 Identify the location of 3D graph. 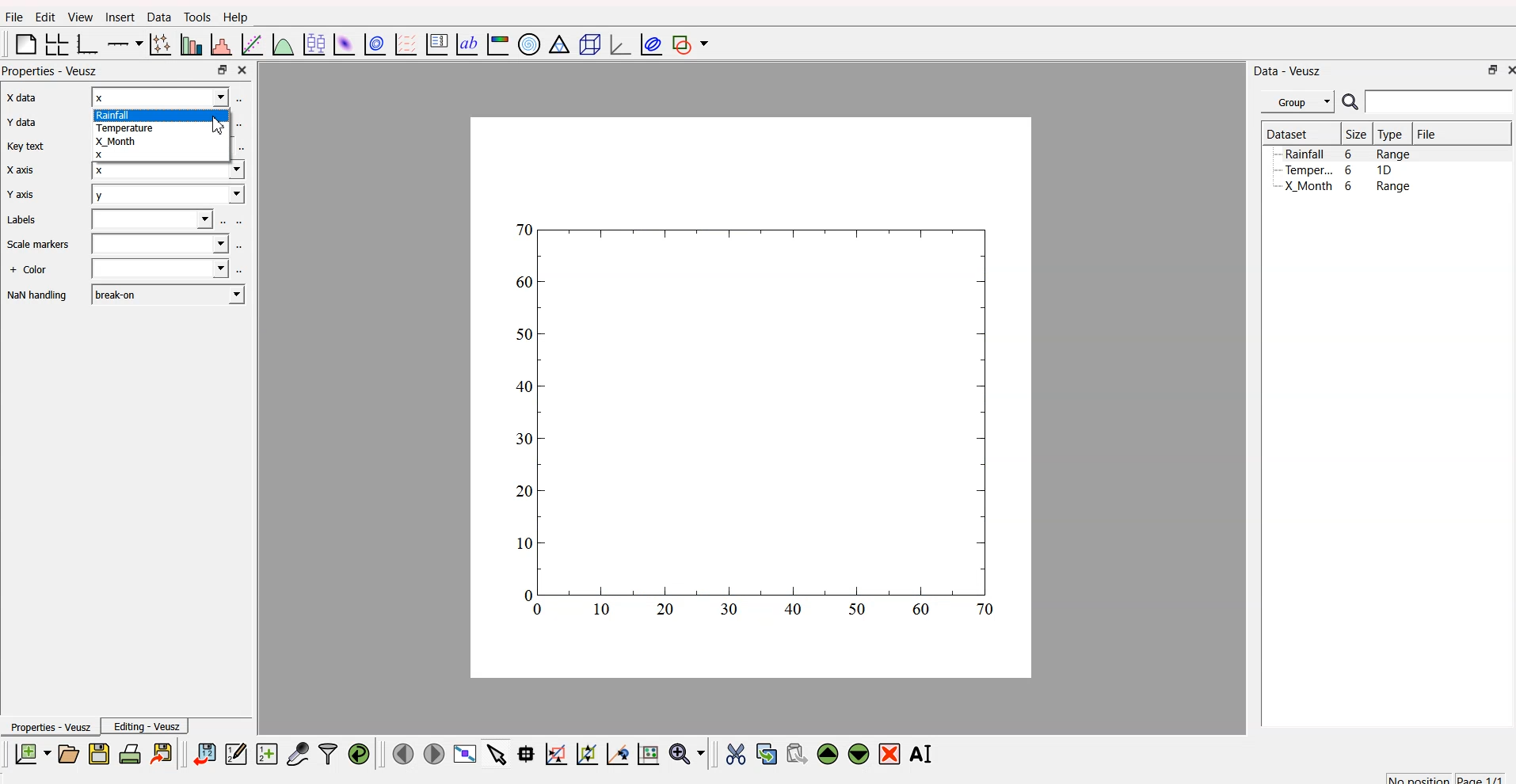
(615, 44).